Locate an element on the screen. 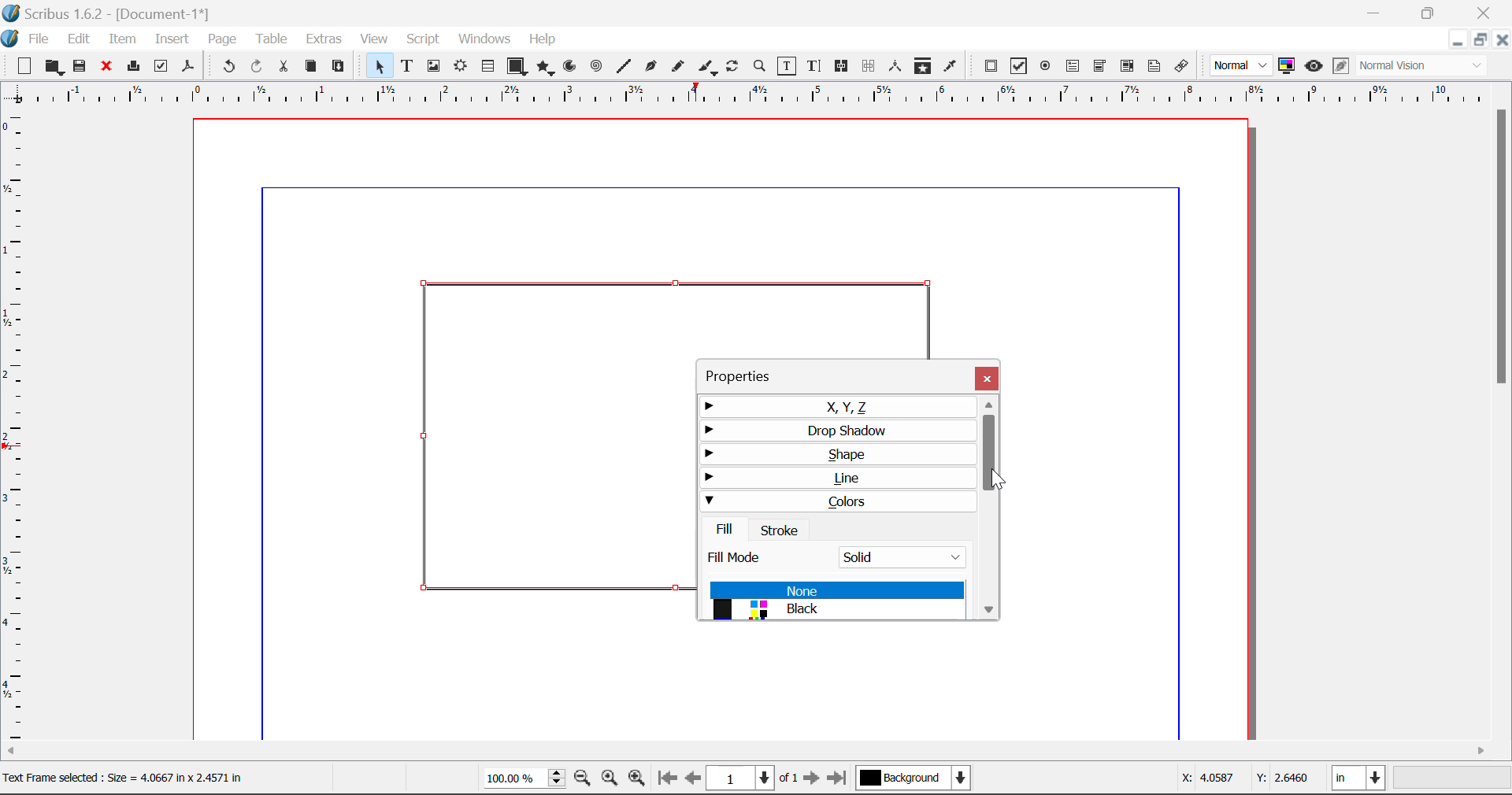  Horizontal Page Margins is located at coordinates (17, 427).